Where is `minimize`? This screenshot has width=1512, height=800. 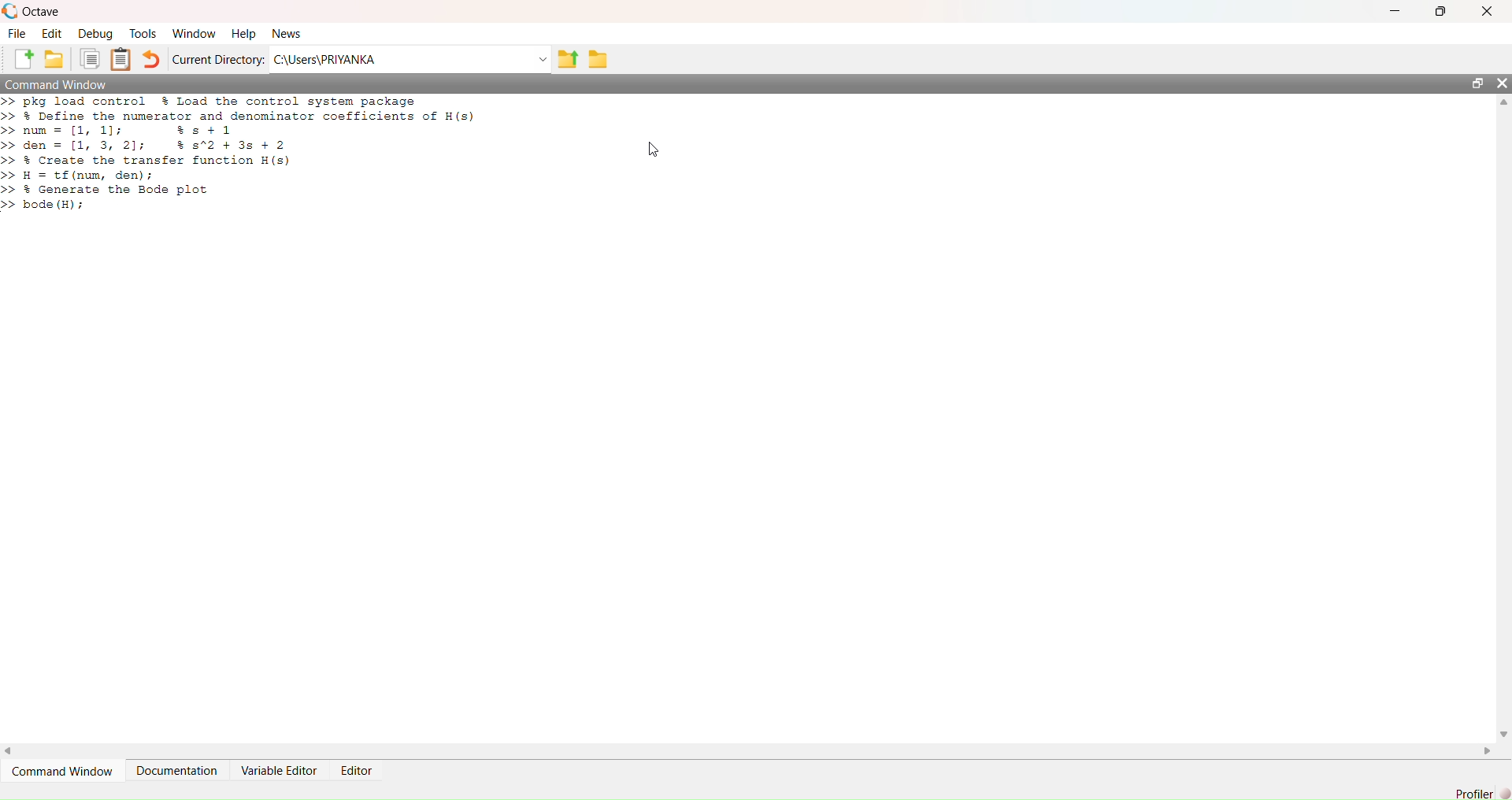 minimize is located at coordinates (1395, 11).